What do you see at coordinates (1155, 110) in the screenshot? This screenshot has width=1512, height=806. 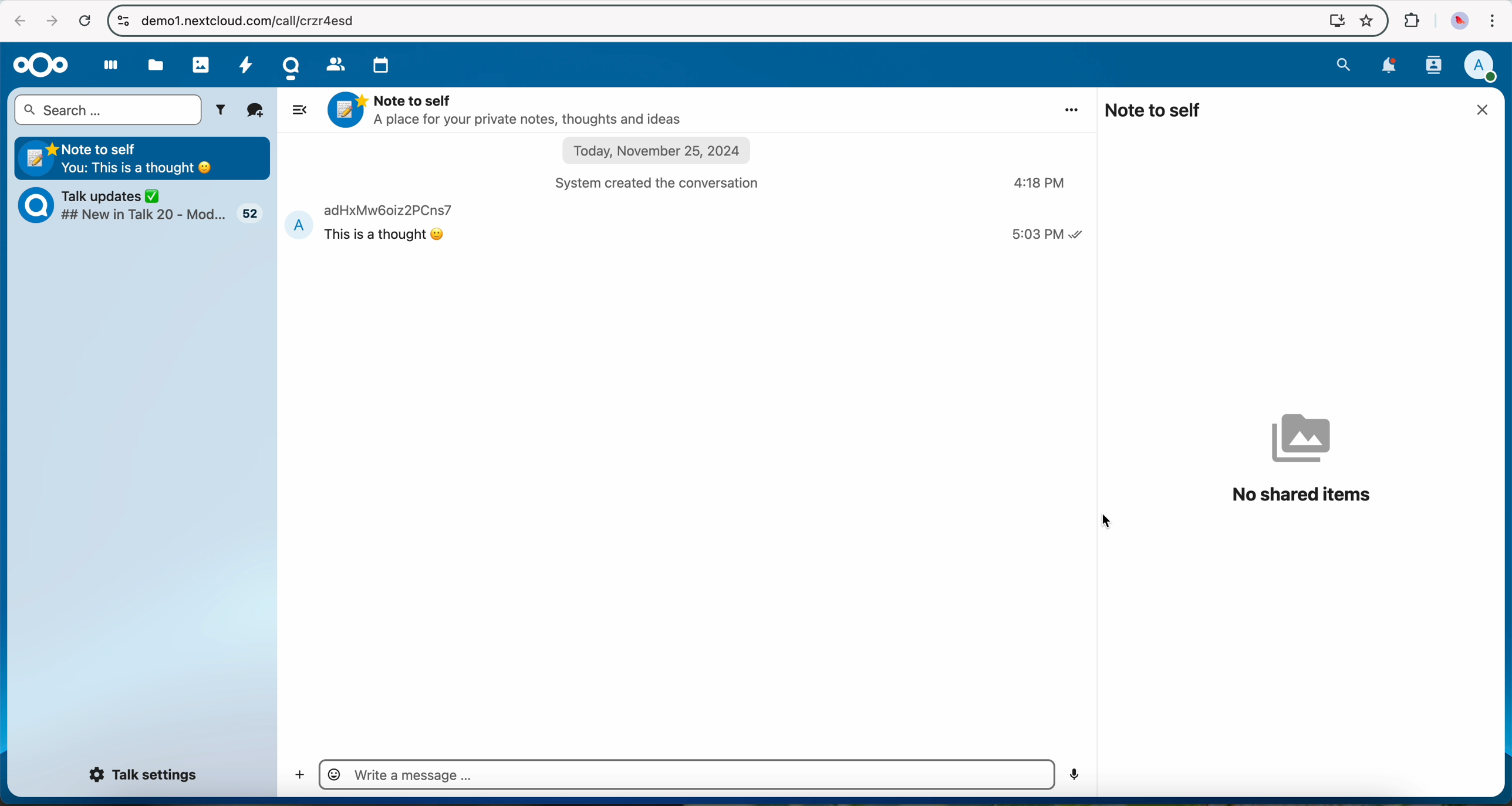 I see `note to self` at bounding box center [1155, 110].